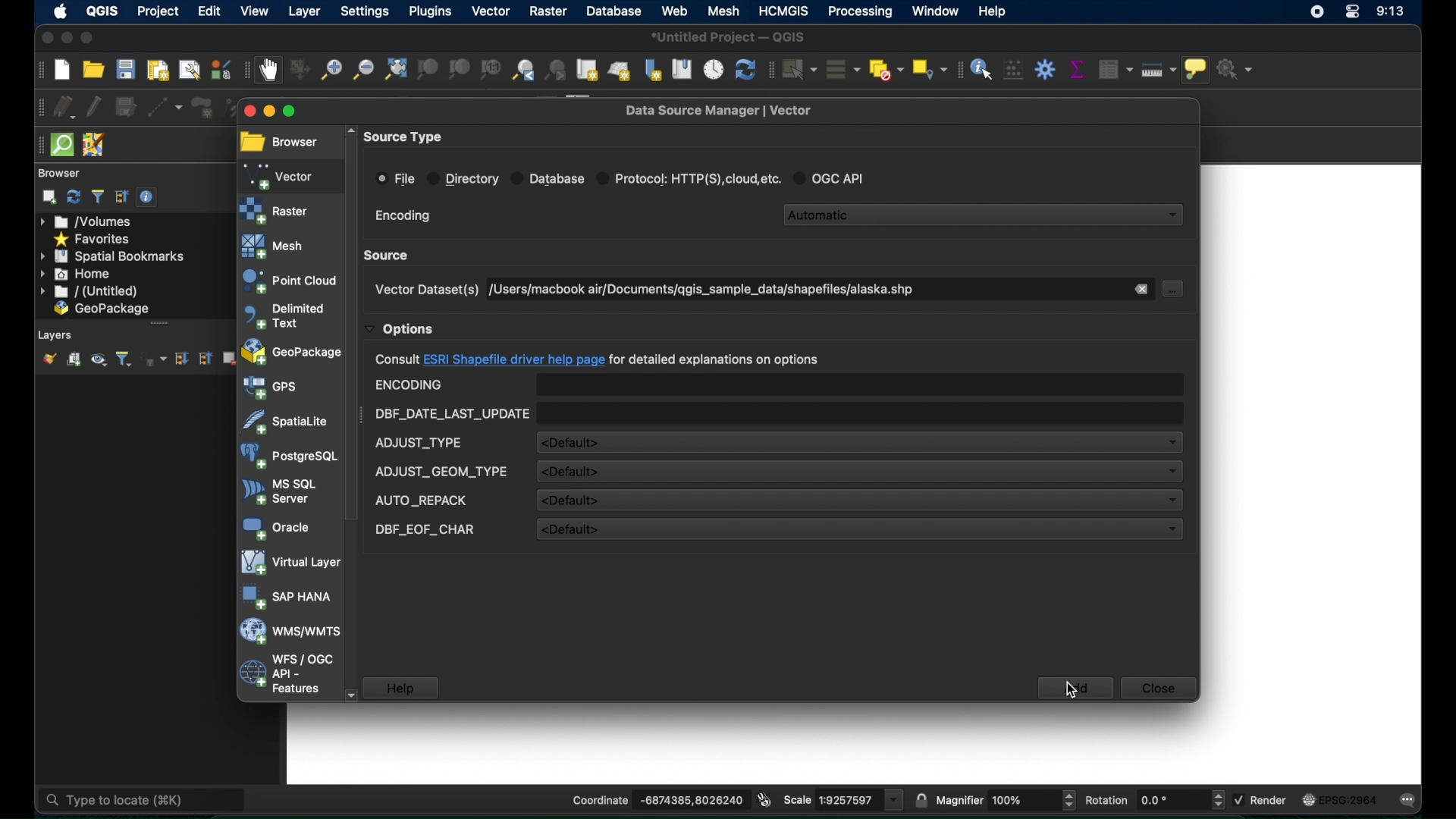 The width and height of the screenshot is (1456, 819). What do you see at coordinates (425, 530) in the screenshot?
I see `DBF_EDF_CHAR` at bounding box center [425, 530].